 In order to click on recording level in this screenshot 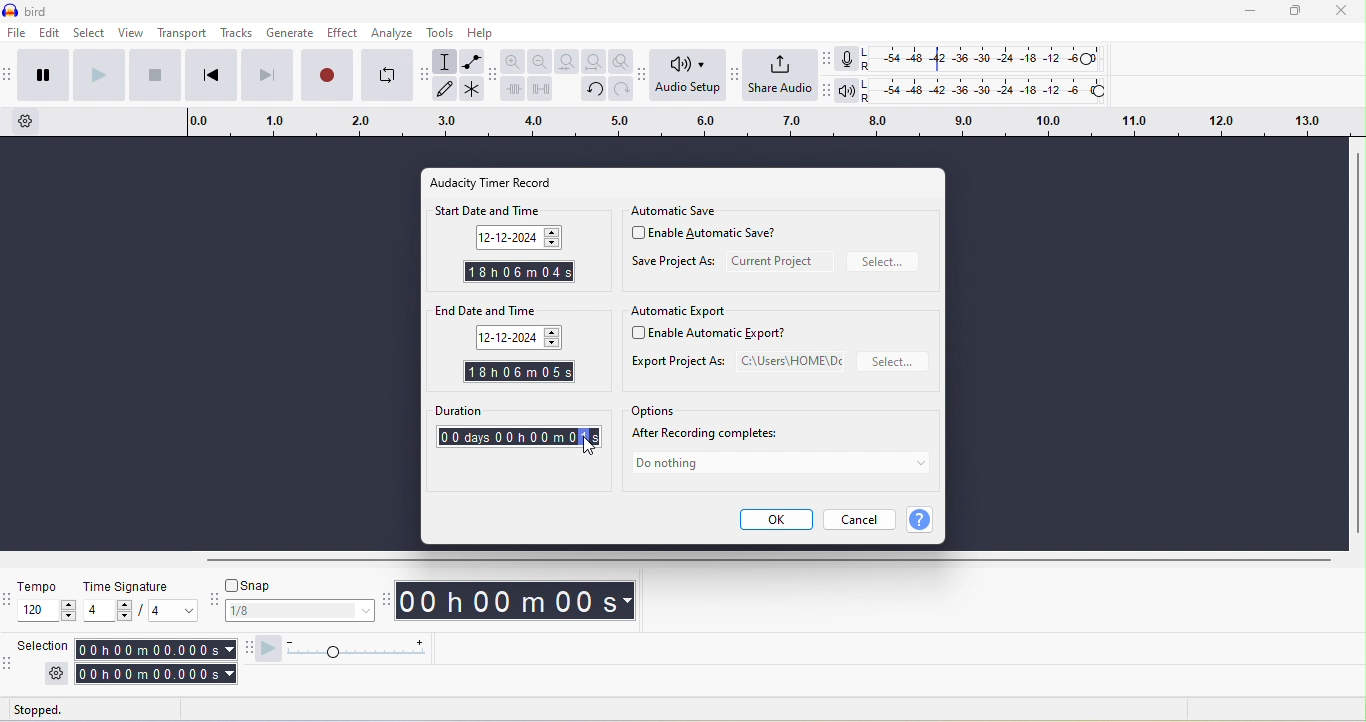, I will do `click(990, 59)`.